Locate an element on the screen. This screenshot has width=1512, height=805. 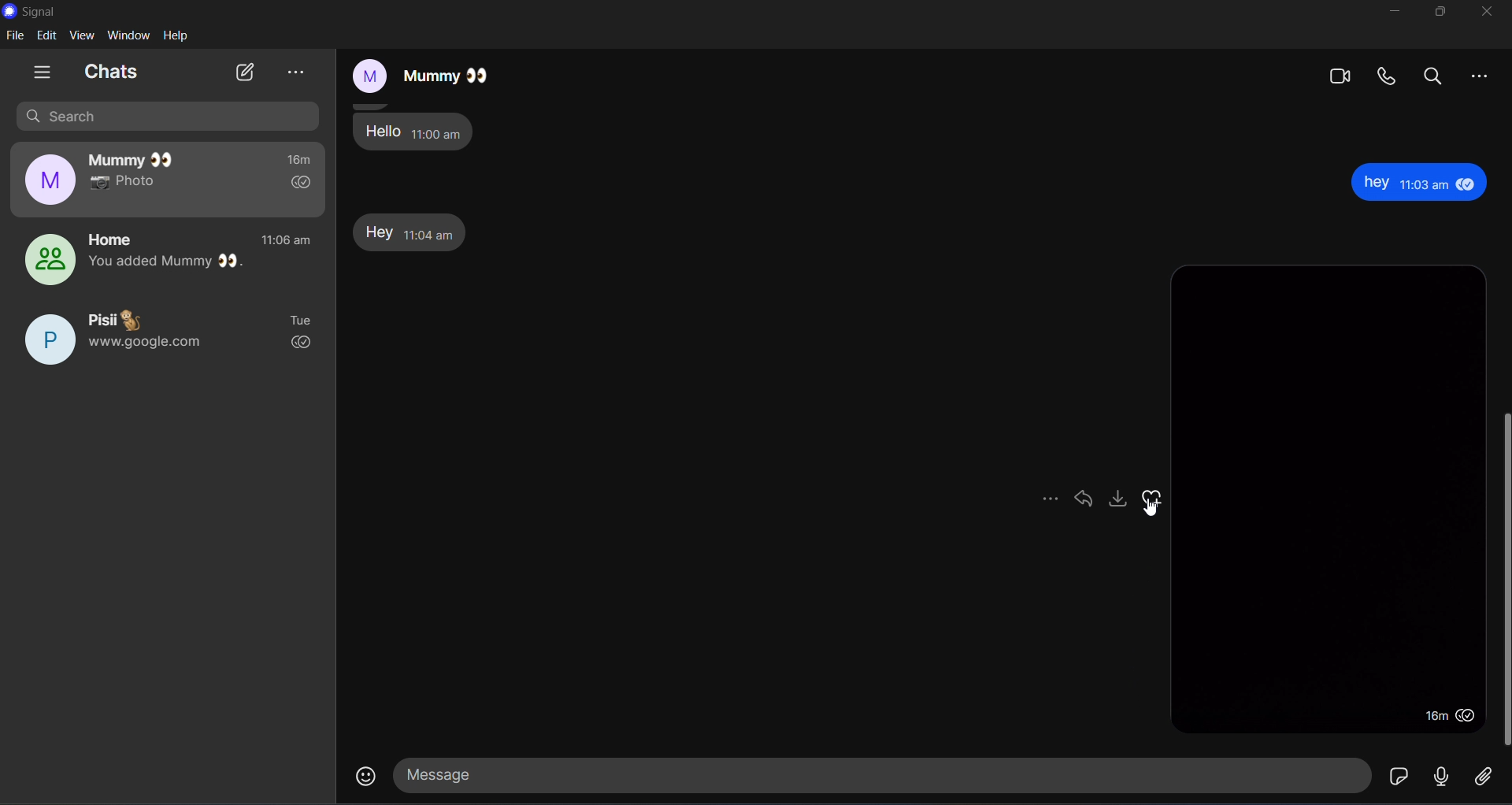
maximize is located at coordinates (1441, 13).